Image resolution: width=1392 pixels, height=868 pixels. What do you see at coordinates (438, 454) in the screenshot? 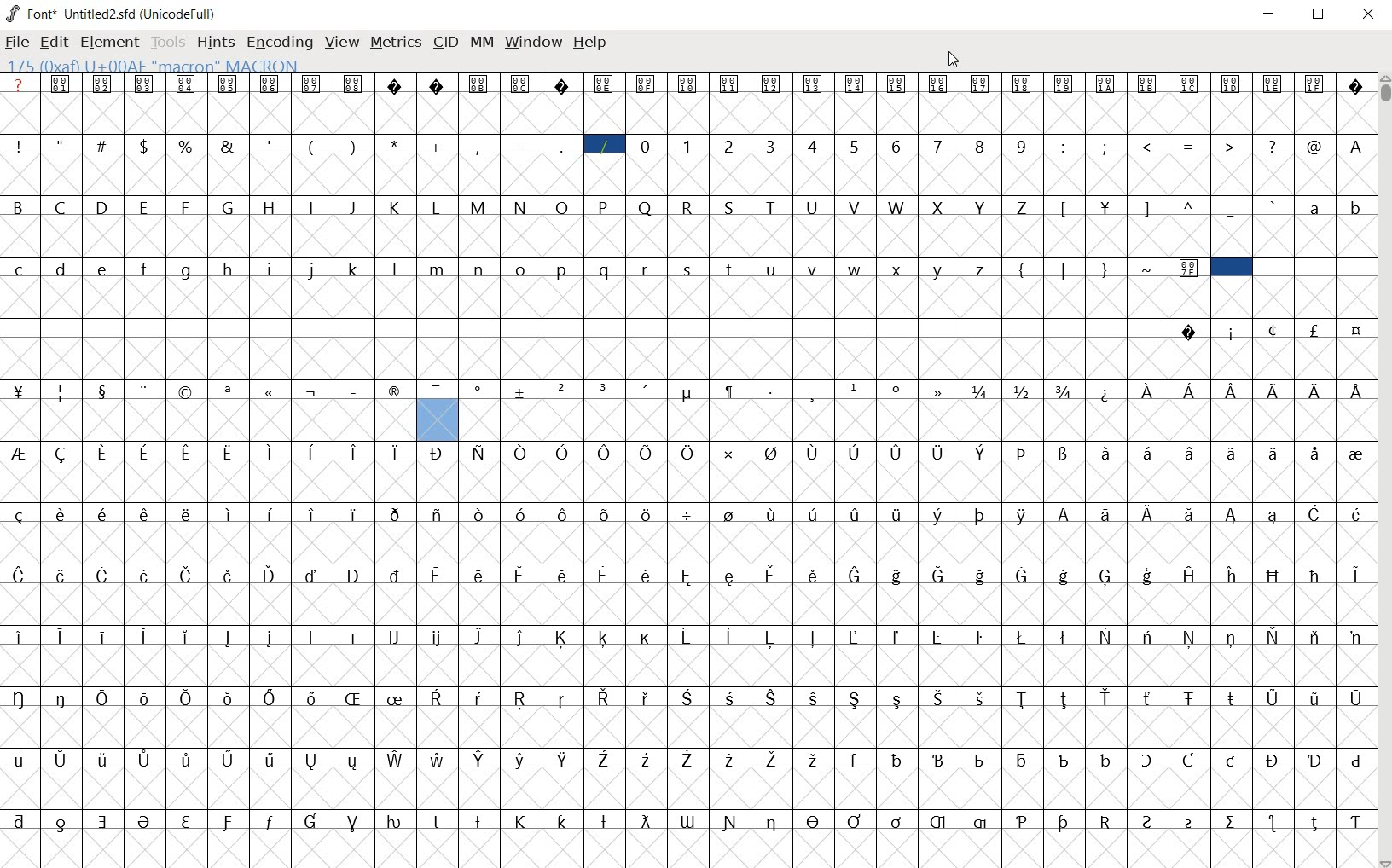
I see `Symbol` at bounding box center [438, 454].